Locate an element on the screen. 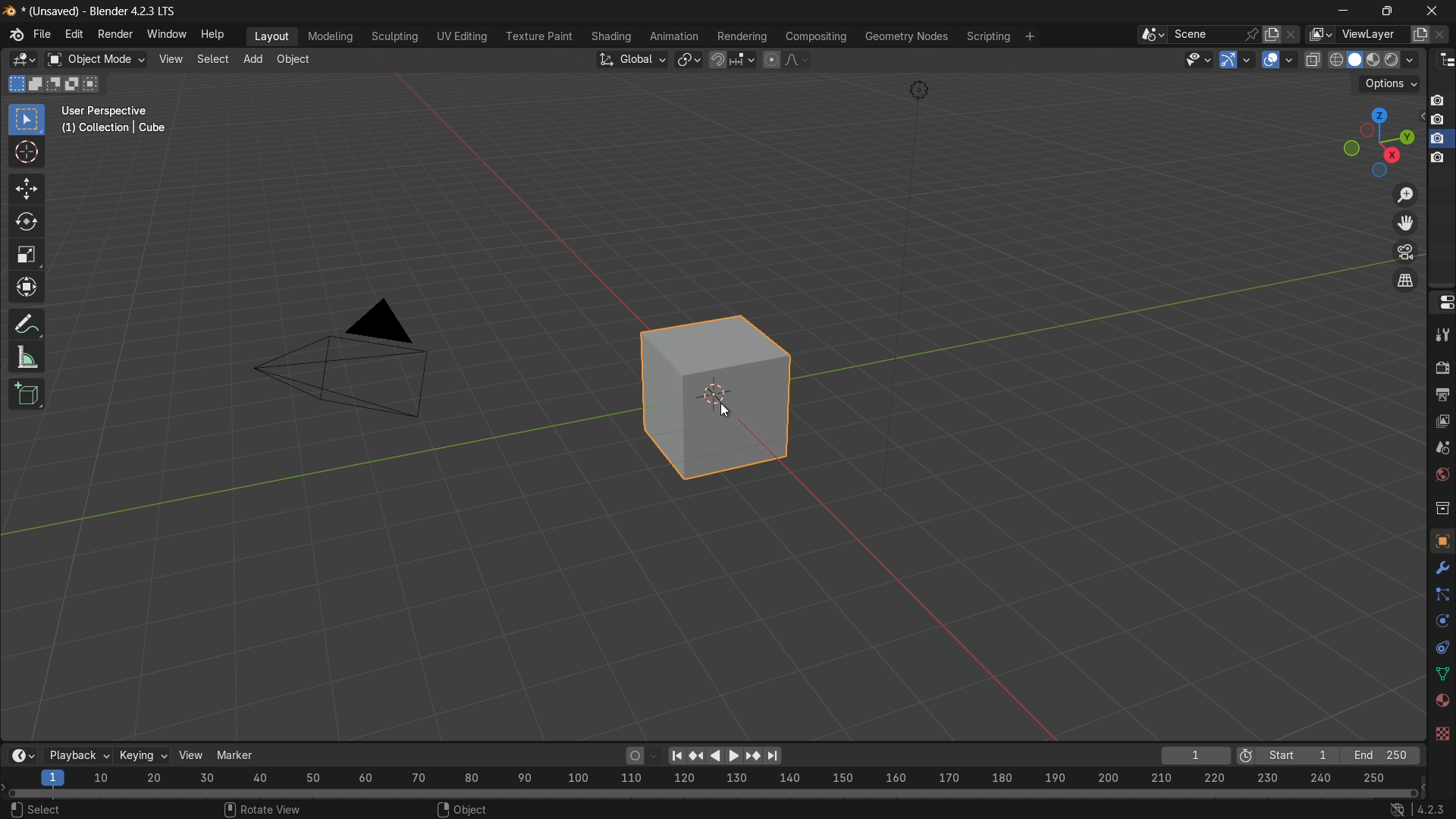 This screenshot has width=1456, height=819. rendered display is located at coordinates (1402, 61).